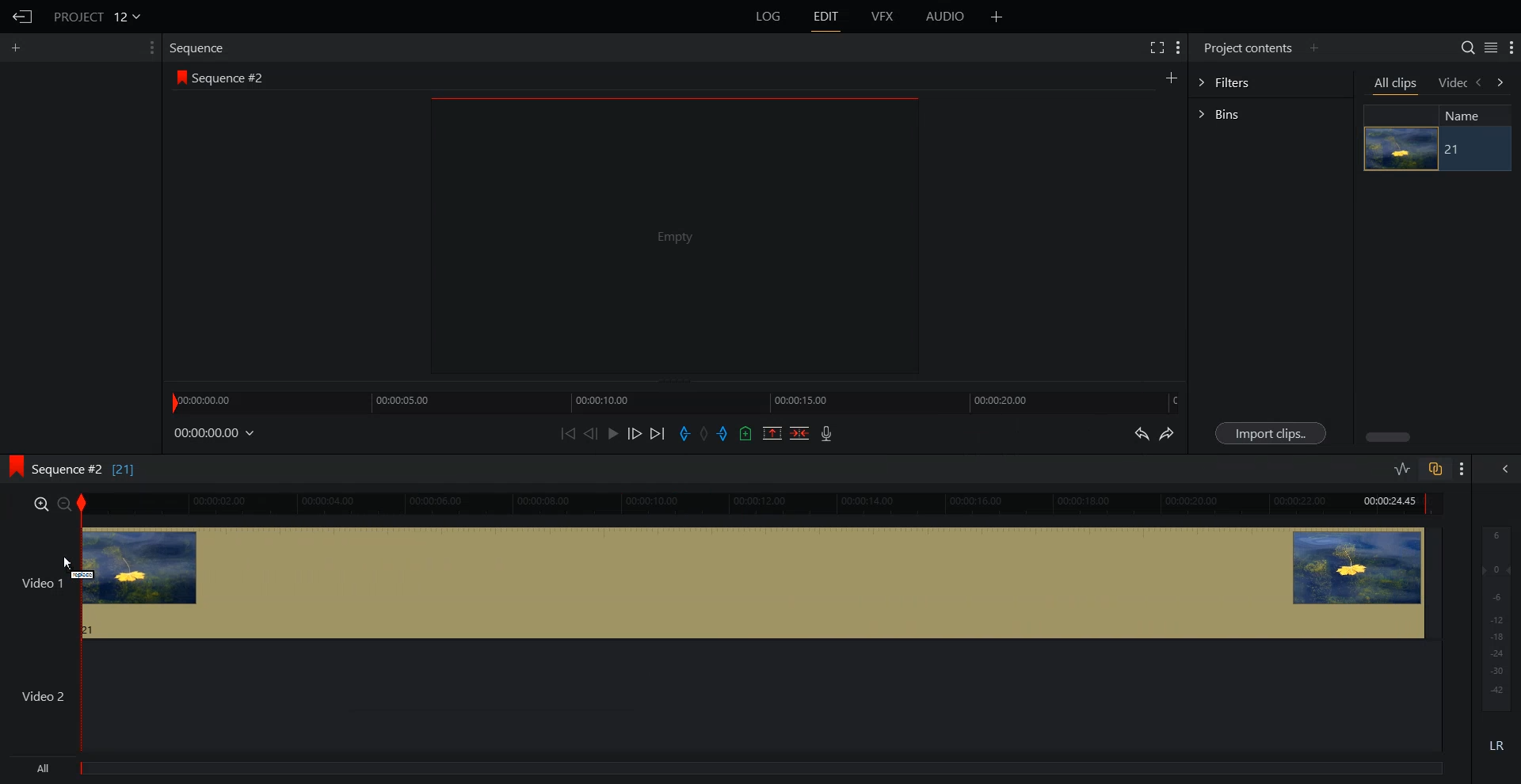 Image resolution: width=1521 pixels, height=784 pixels. I want to click on Video Slider, so click(770, 504).